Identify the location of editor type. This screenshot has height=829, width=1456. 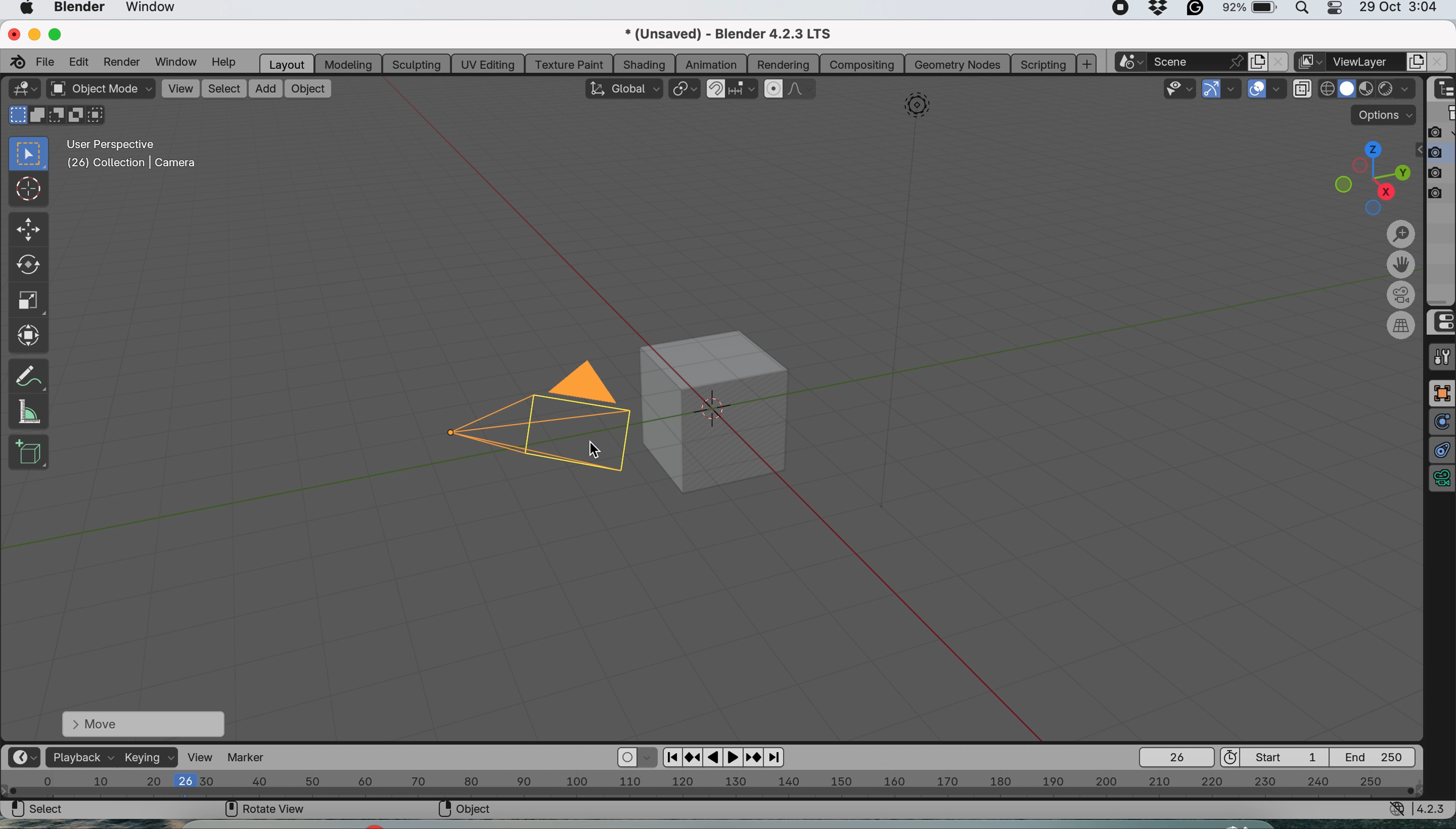
(23, 757).